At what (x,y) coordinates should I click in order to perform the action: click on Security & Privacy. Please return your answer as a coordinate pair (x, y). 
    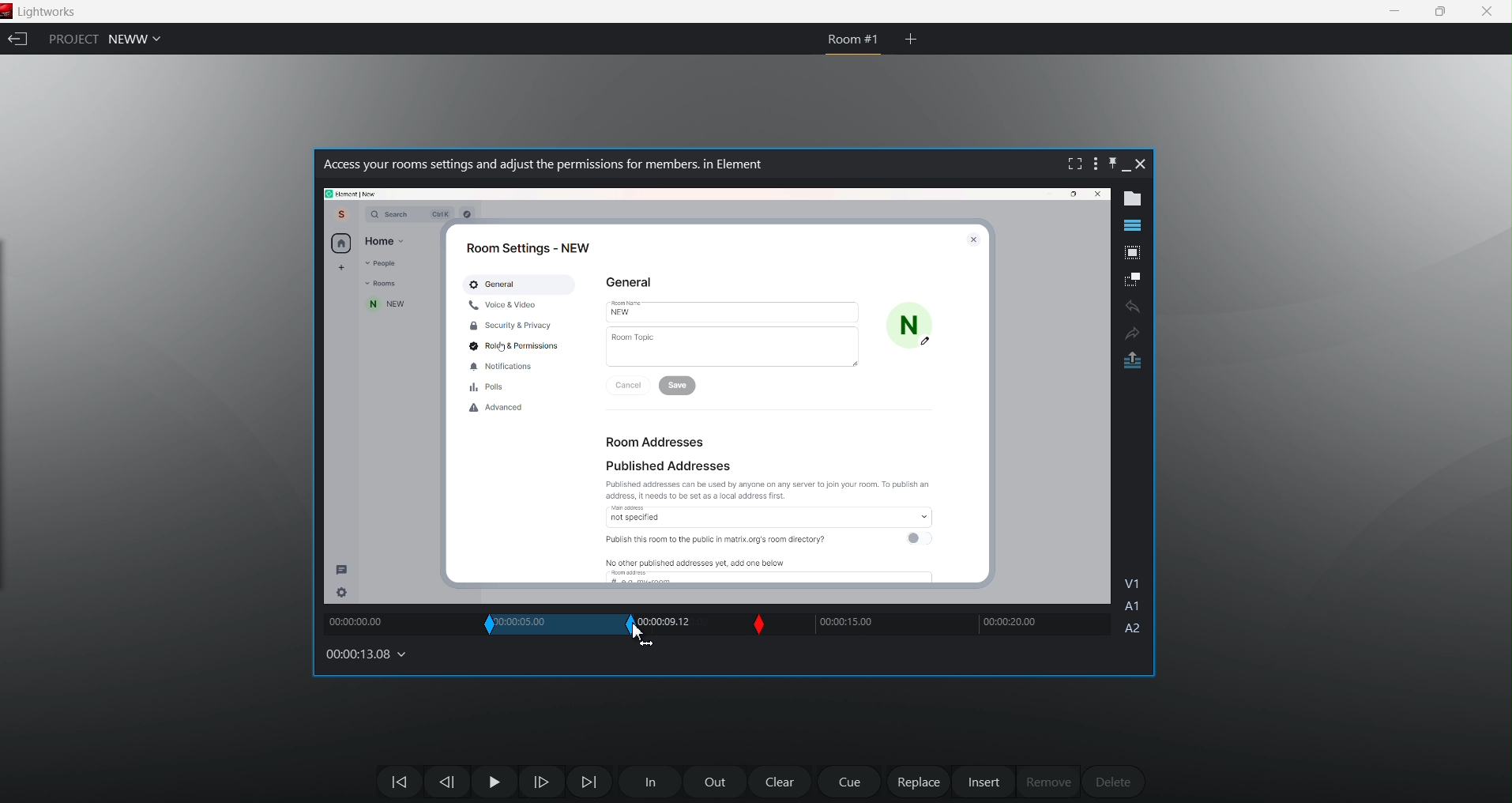
    Looking at the image, I should click on (511, 325).